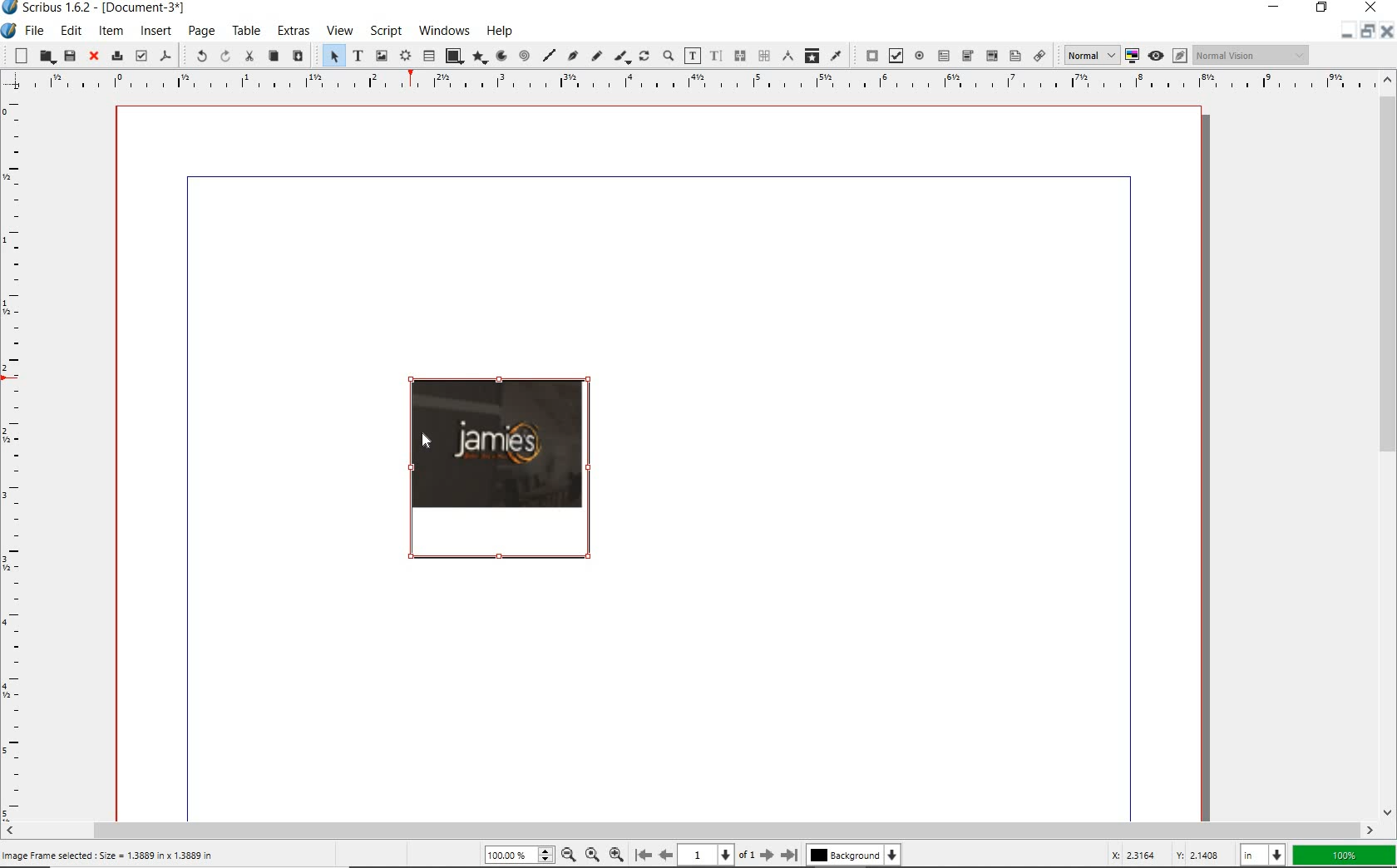 This screenshot has height=868, width=1397. I want to click on zoom factor, so click(1344, 854).